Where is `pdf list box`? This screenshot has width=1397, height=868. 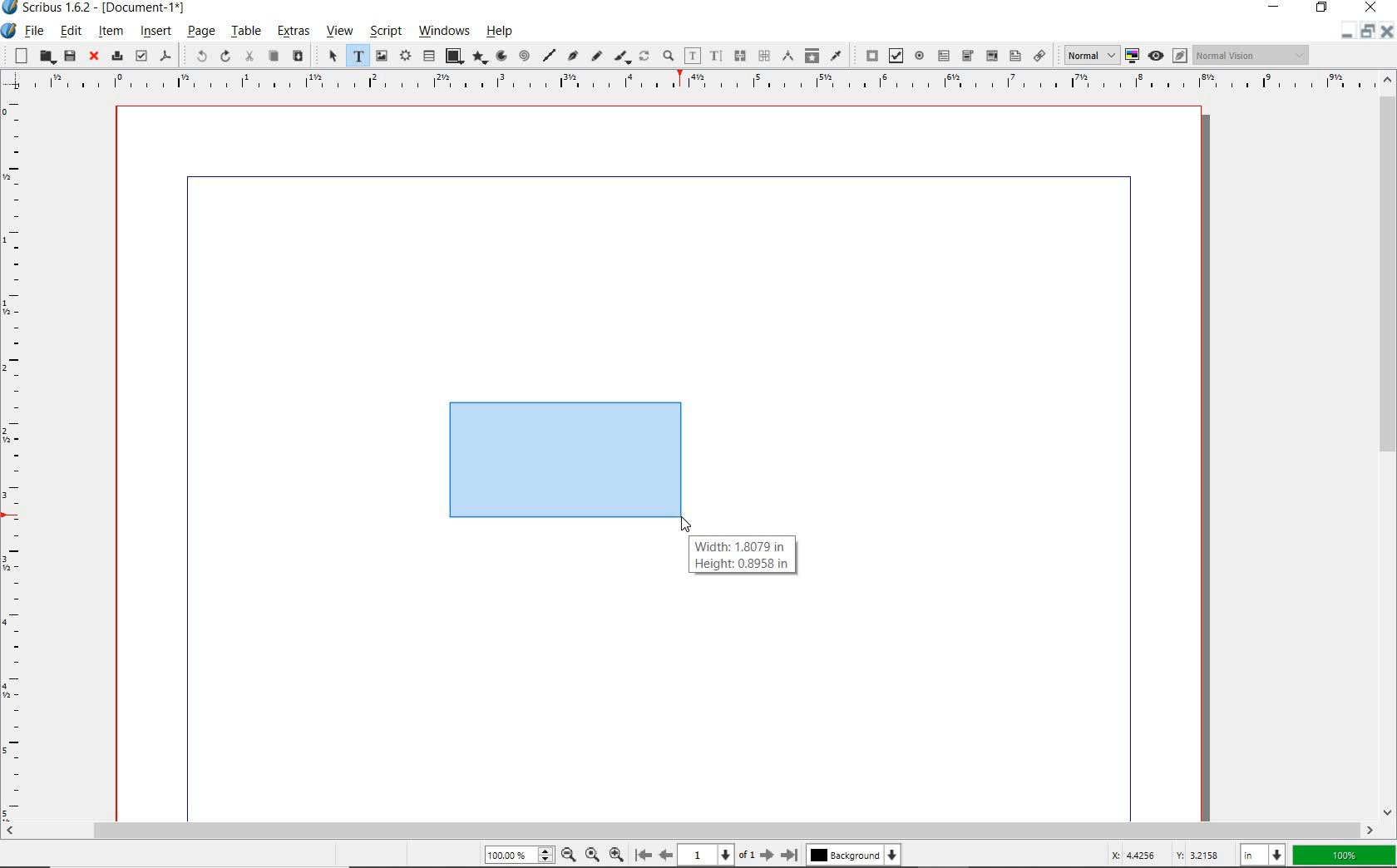
pdf list box is located at coordinates (1014, 56).